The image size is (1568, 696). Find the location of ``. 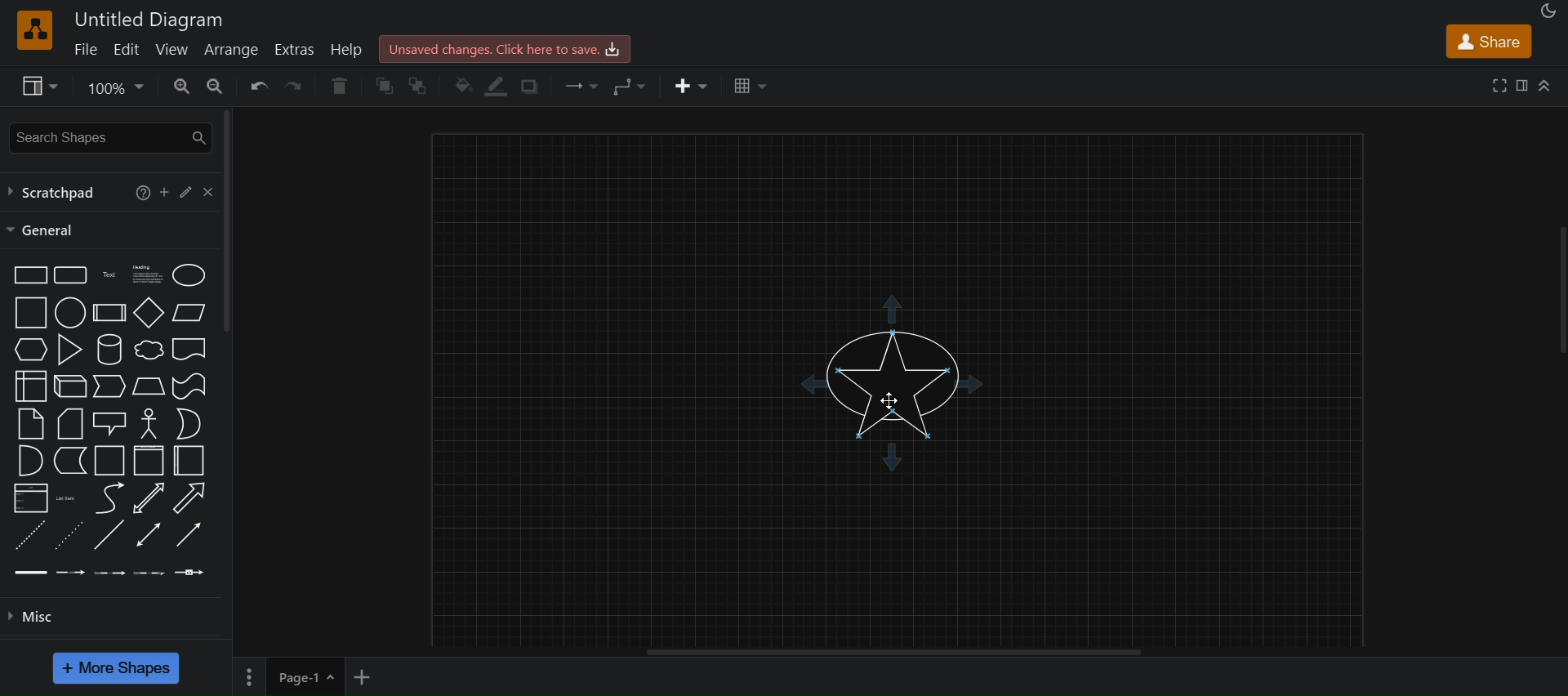

 is located at coordinates (188, 189).